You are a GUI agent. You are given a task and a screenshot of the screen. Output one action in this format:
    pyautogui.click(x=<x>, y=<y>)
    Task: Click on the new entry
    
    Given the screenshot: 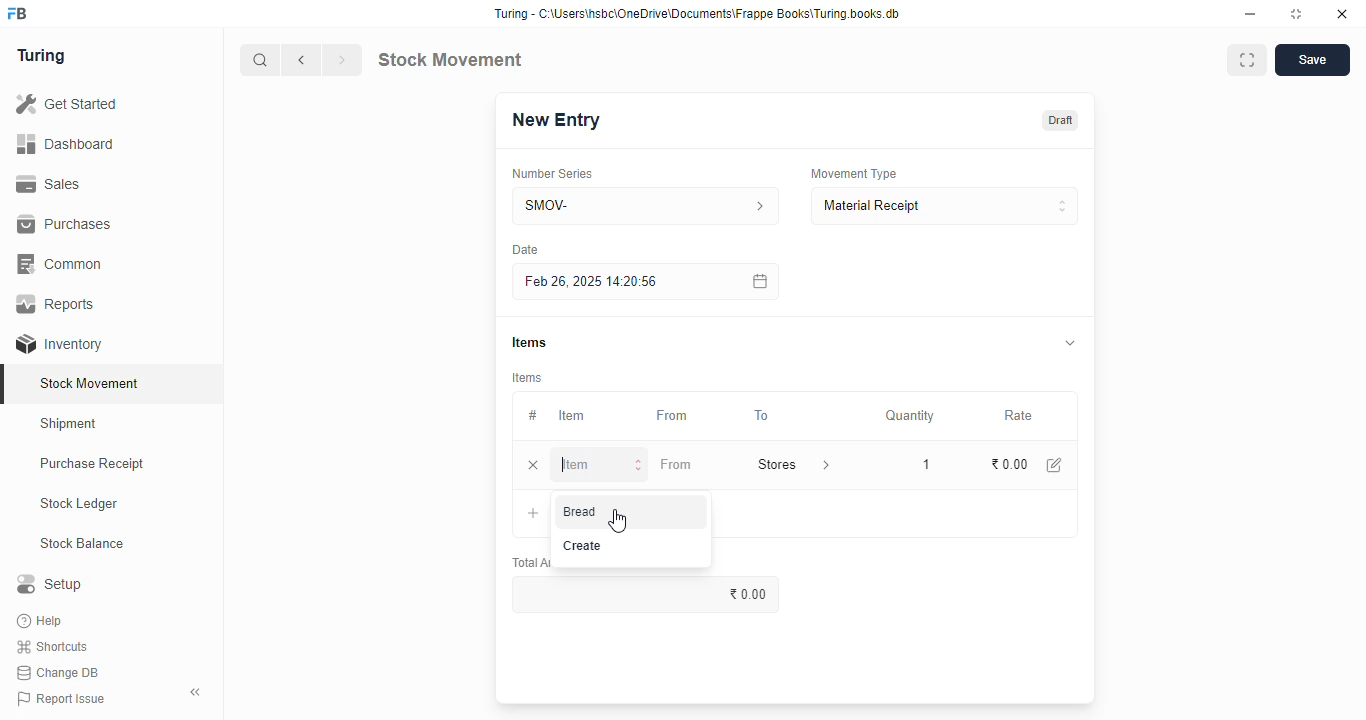 What is the action you would take?
    pyautogui.click(x=555, y=120)
    